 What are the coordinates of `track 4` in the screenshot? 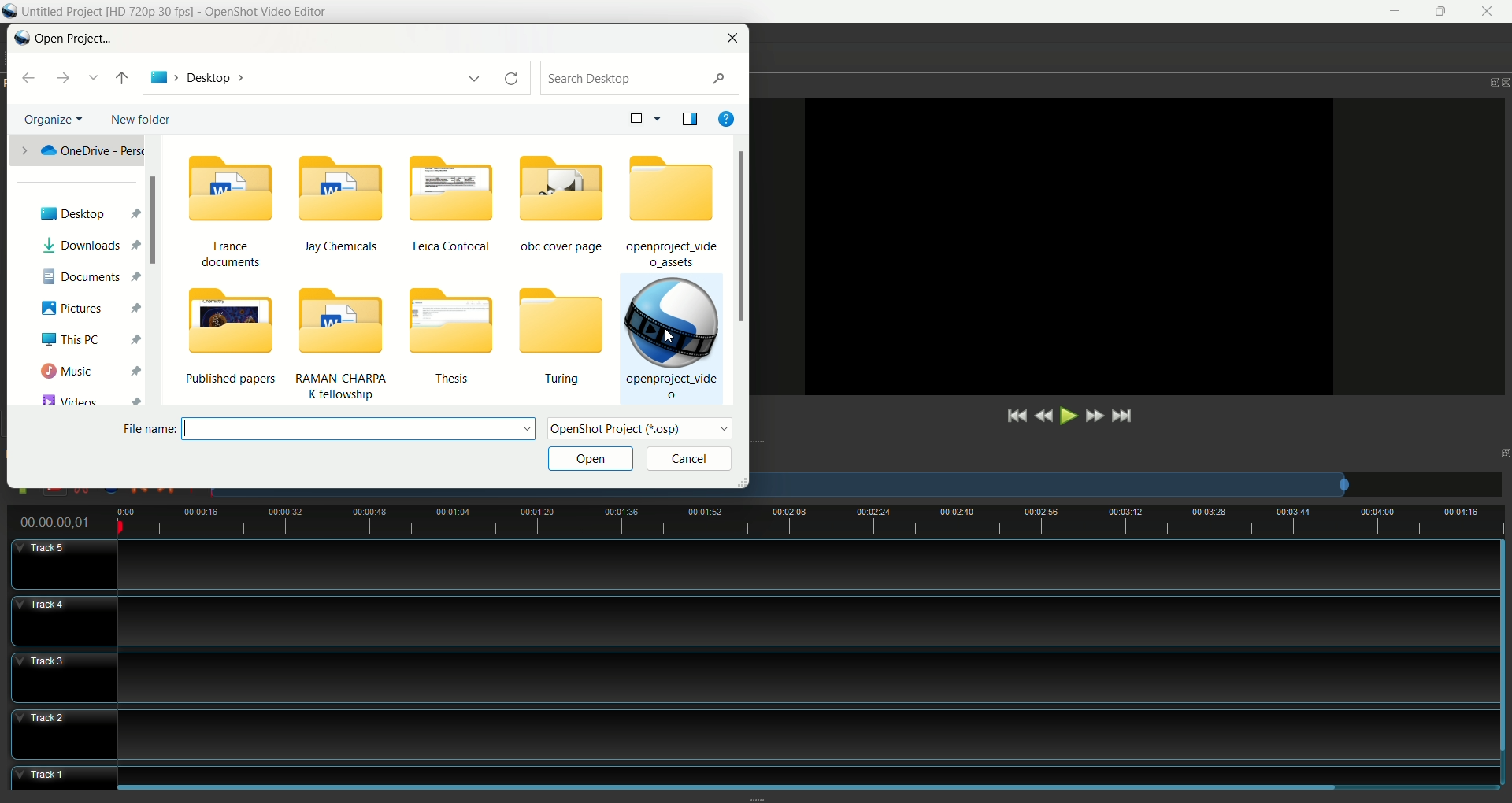 It's located at (753, 621).